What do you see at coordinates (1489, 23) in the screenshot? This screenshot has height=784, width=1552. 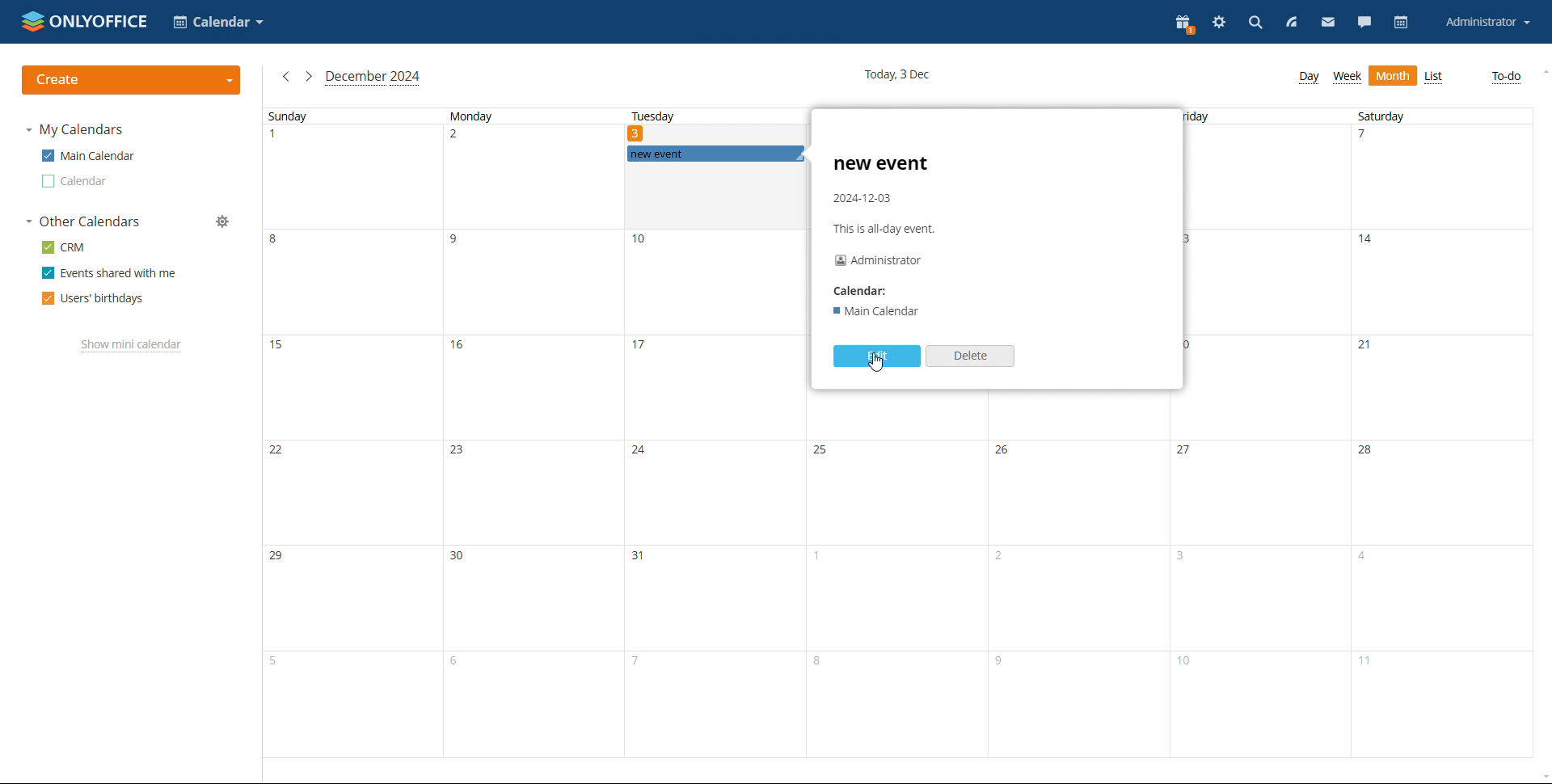 I see `account` at bounding box center [1489, 23].